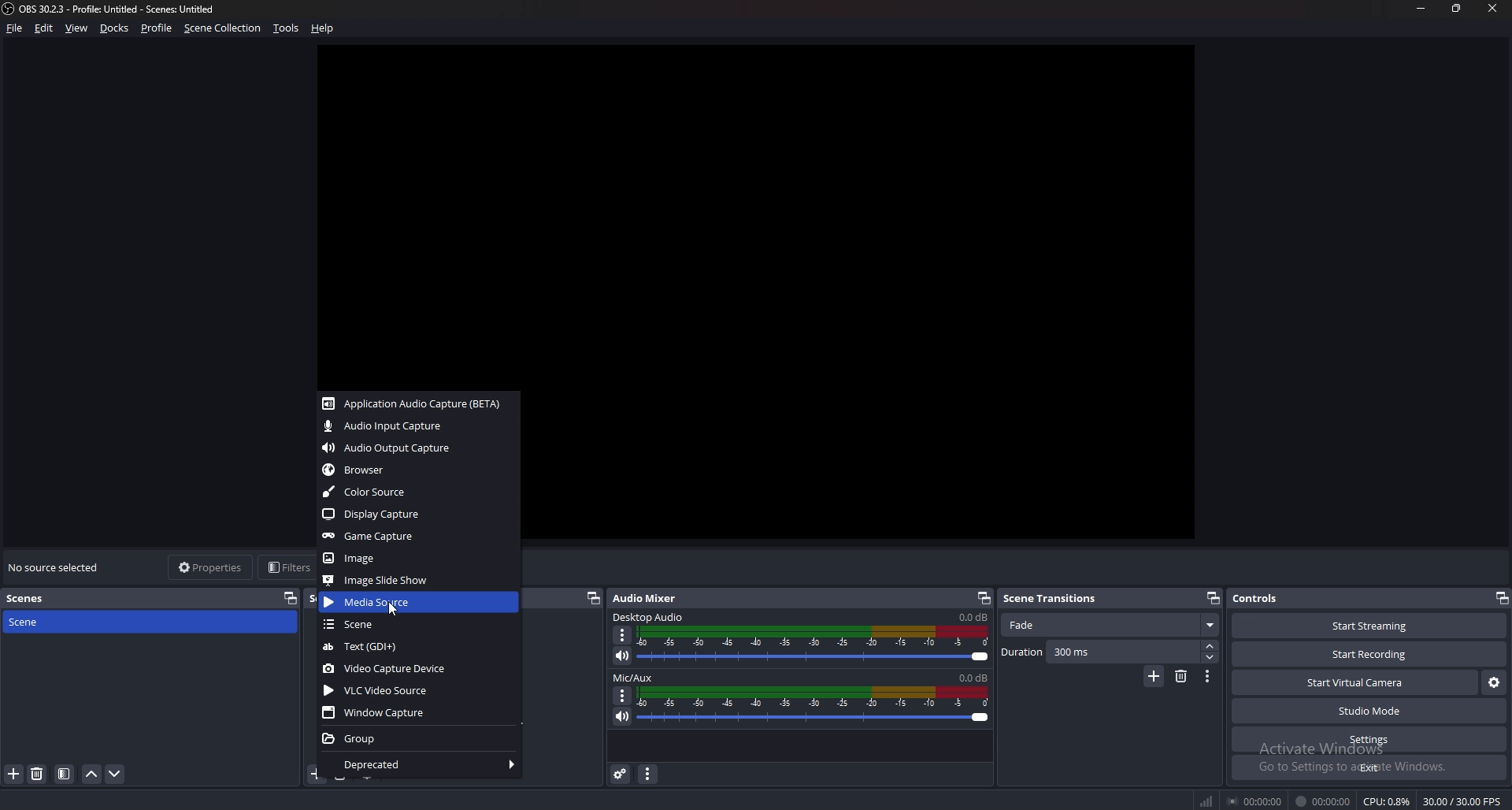 The height and width of the screenshot is (810, 1512). I want to click on mic/aux, so click(636, 678).